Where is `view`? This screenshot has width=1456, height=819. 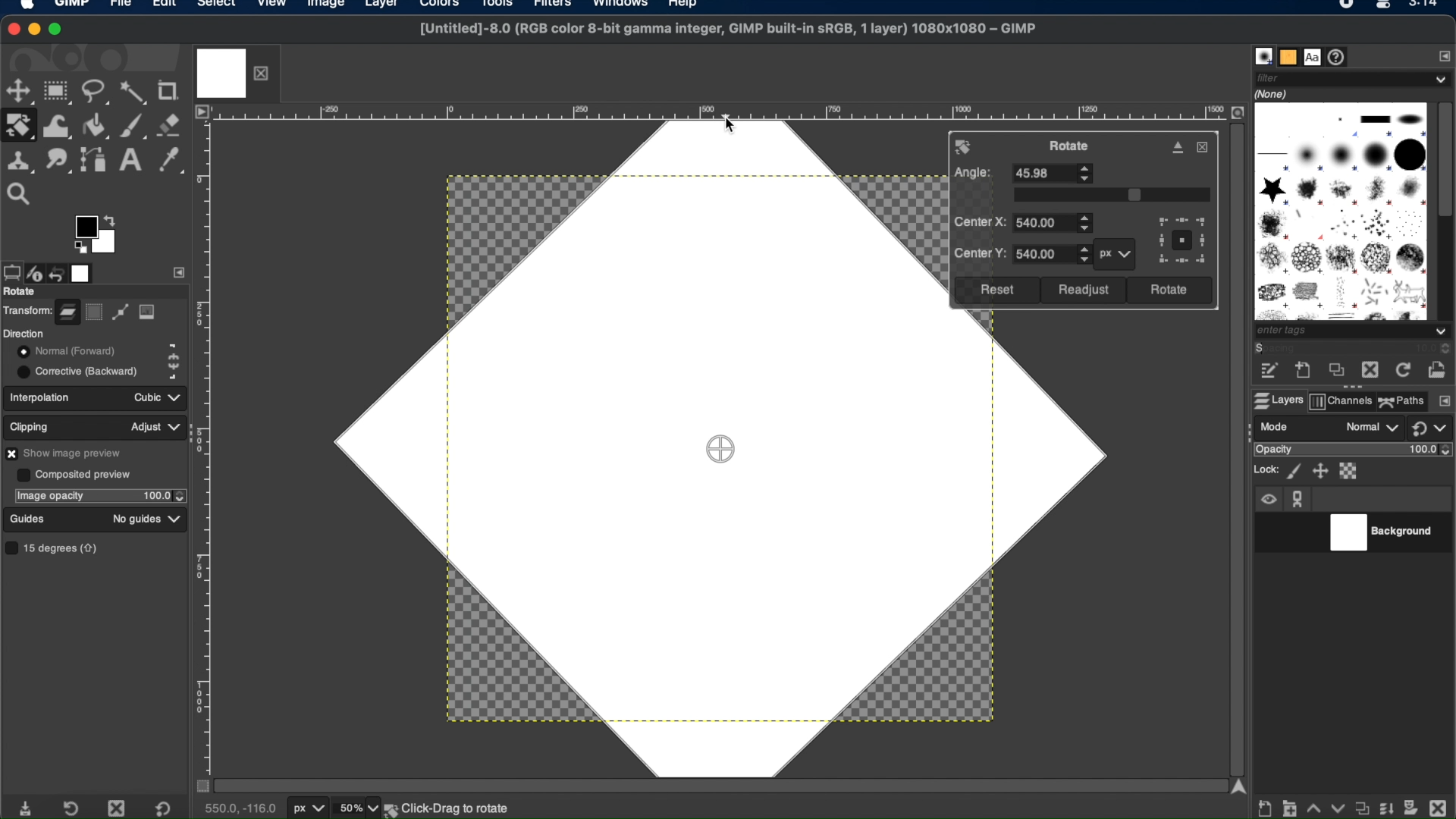
view is located at coordinates (272, 6).